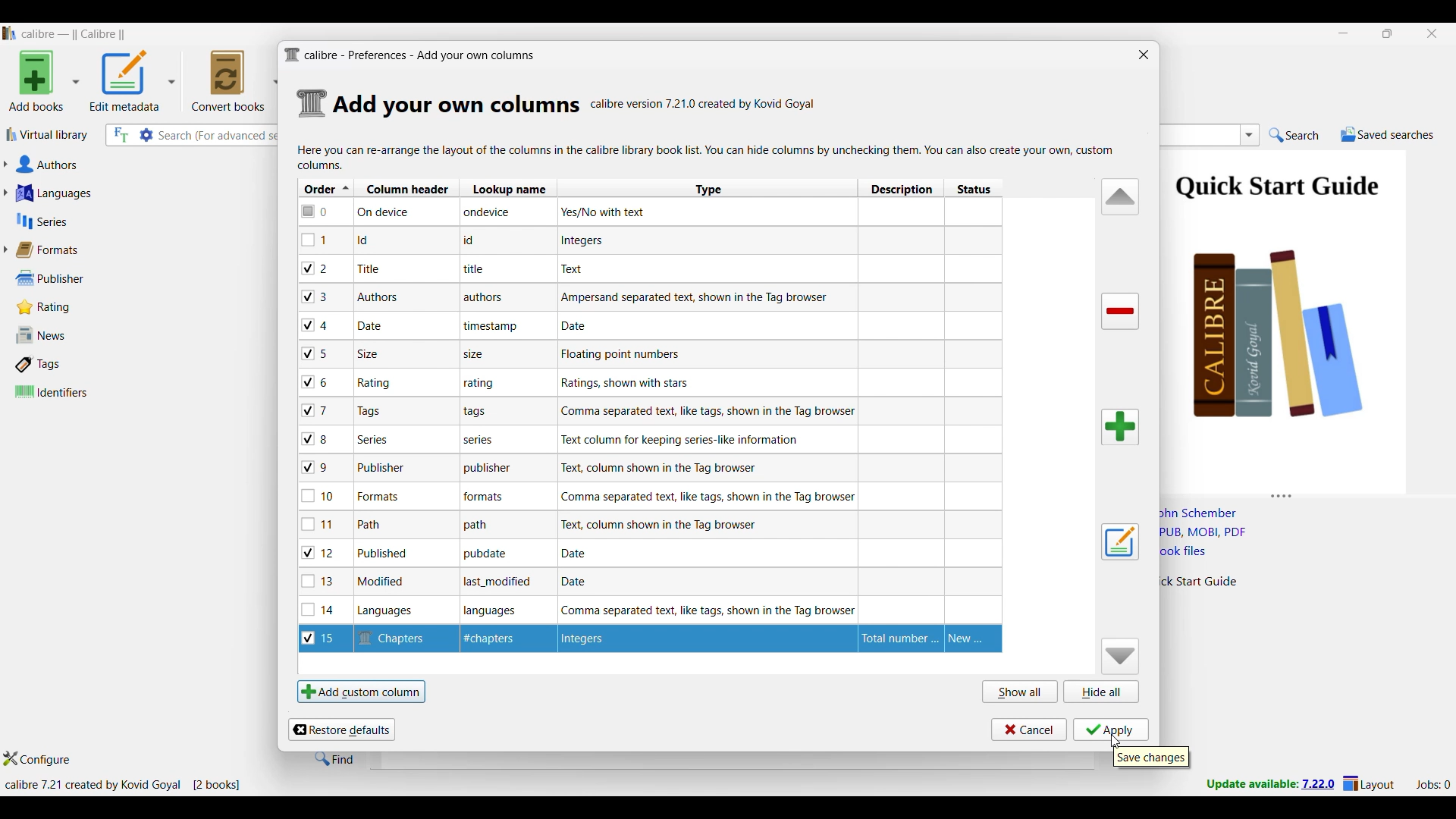 The image size is (1456, 819). What do you see at coordinates (485, 384) in the screenshot?
I see `note` at bounding box center [485, 384].